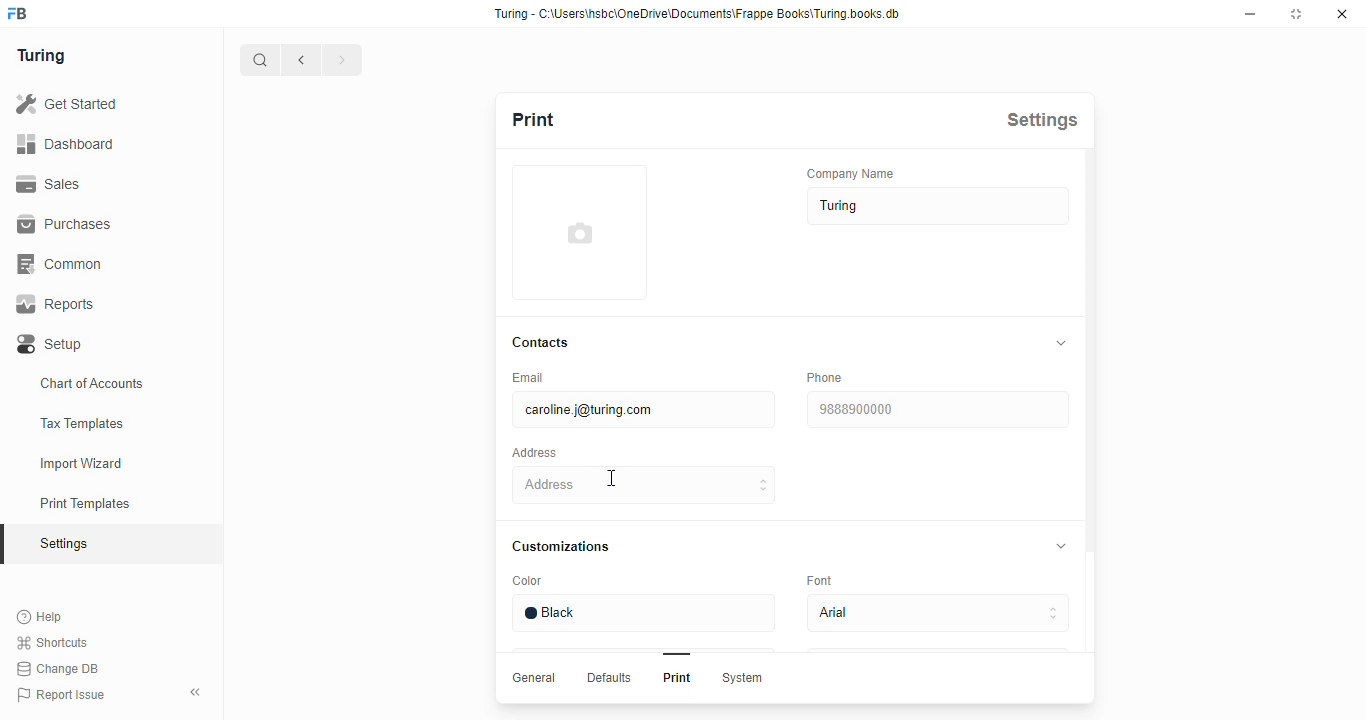  Describe the element at coordinates (51, 345) in the screenshot. I see `setup` at that location.